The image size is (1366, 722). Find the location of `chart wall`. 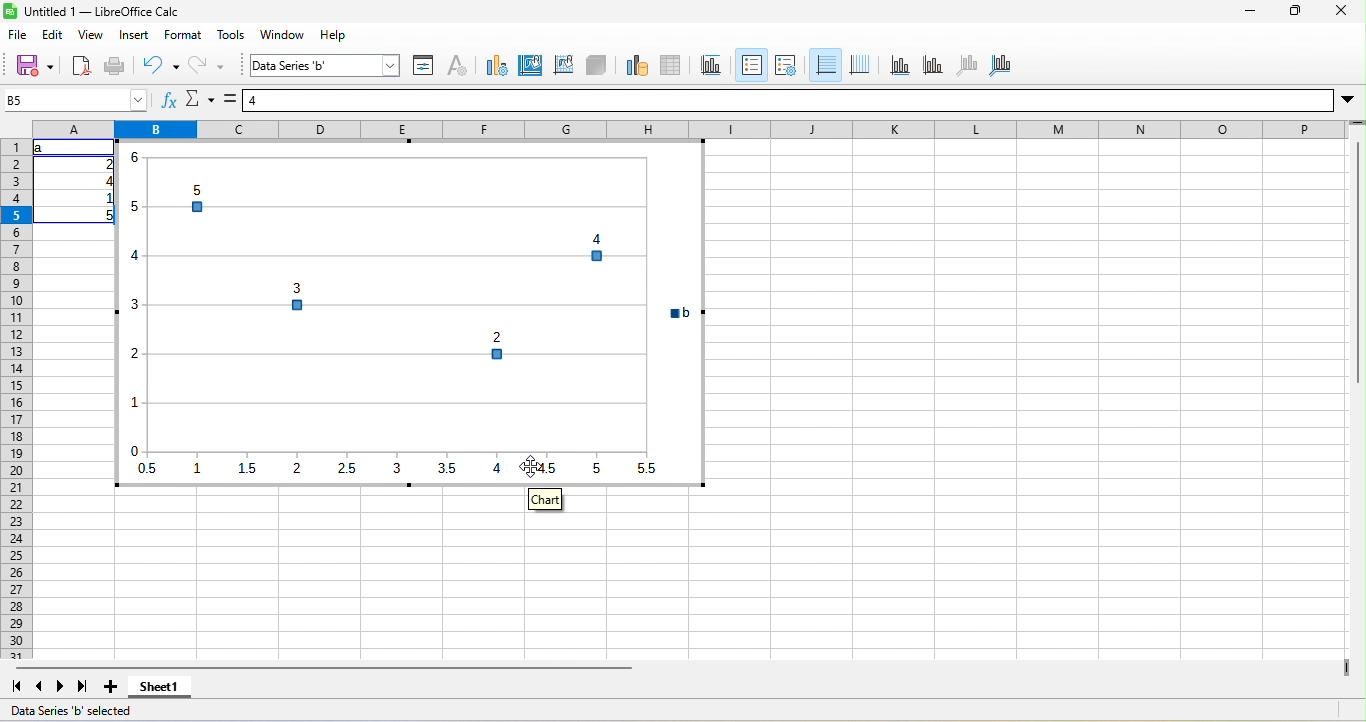

chart wall is located at coordinates (564, 67).